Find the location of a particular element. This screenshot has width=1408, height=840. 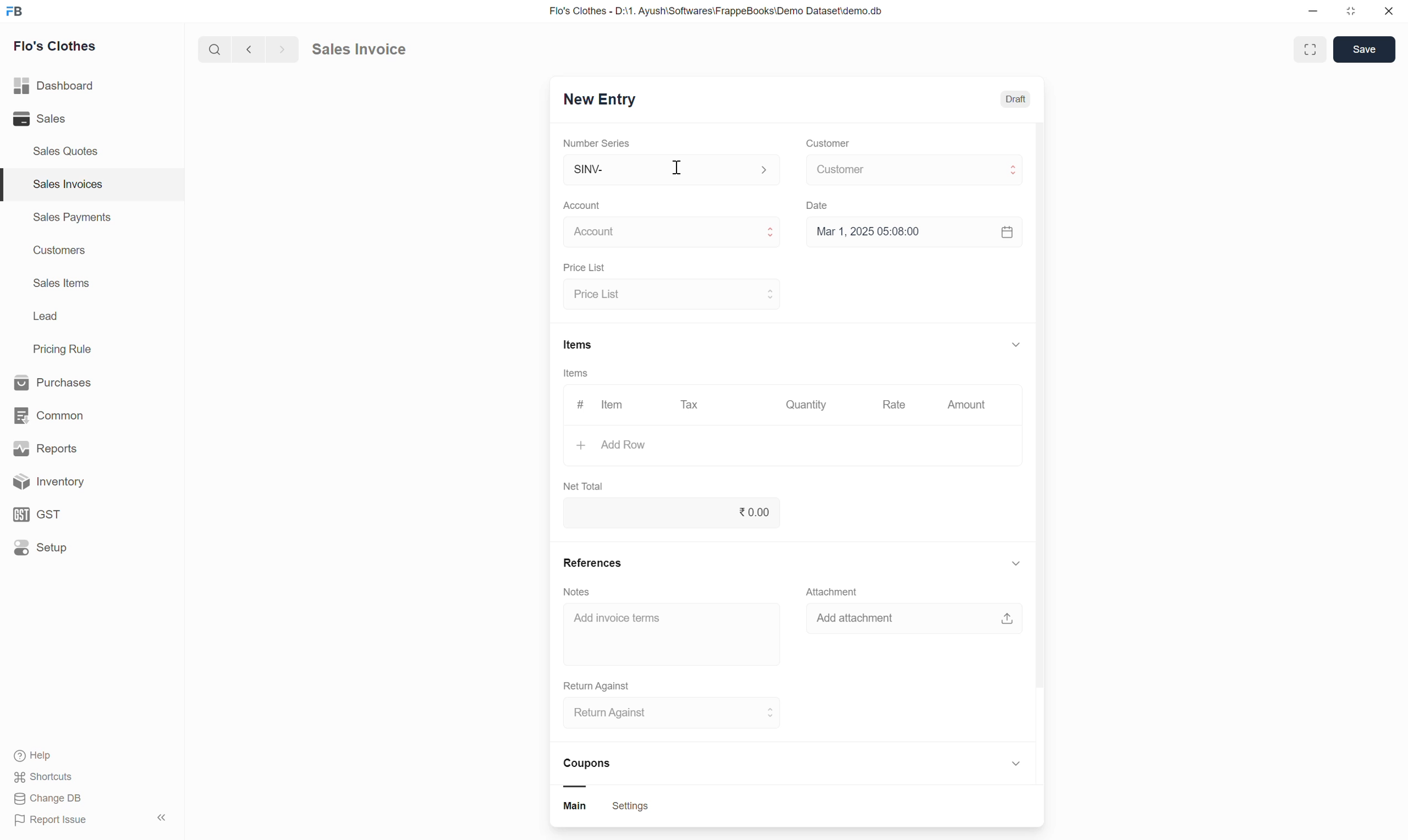

hide sidebar is located at coordinates (163, 818).